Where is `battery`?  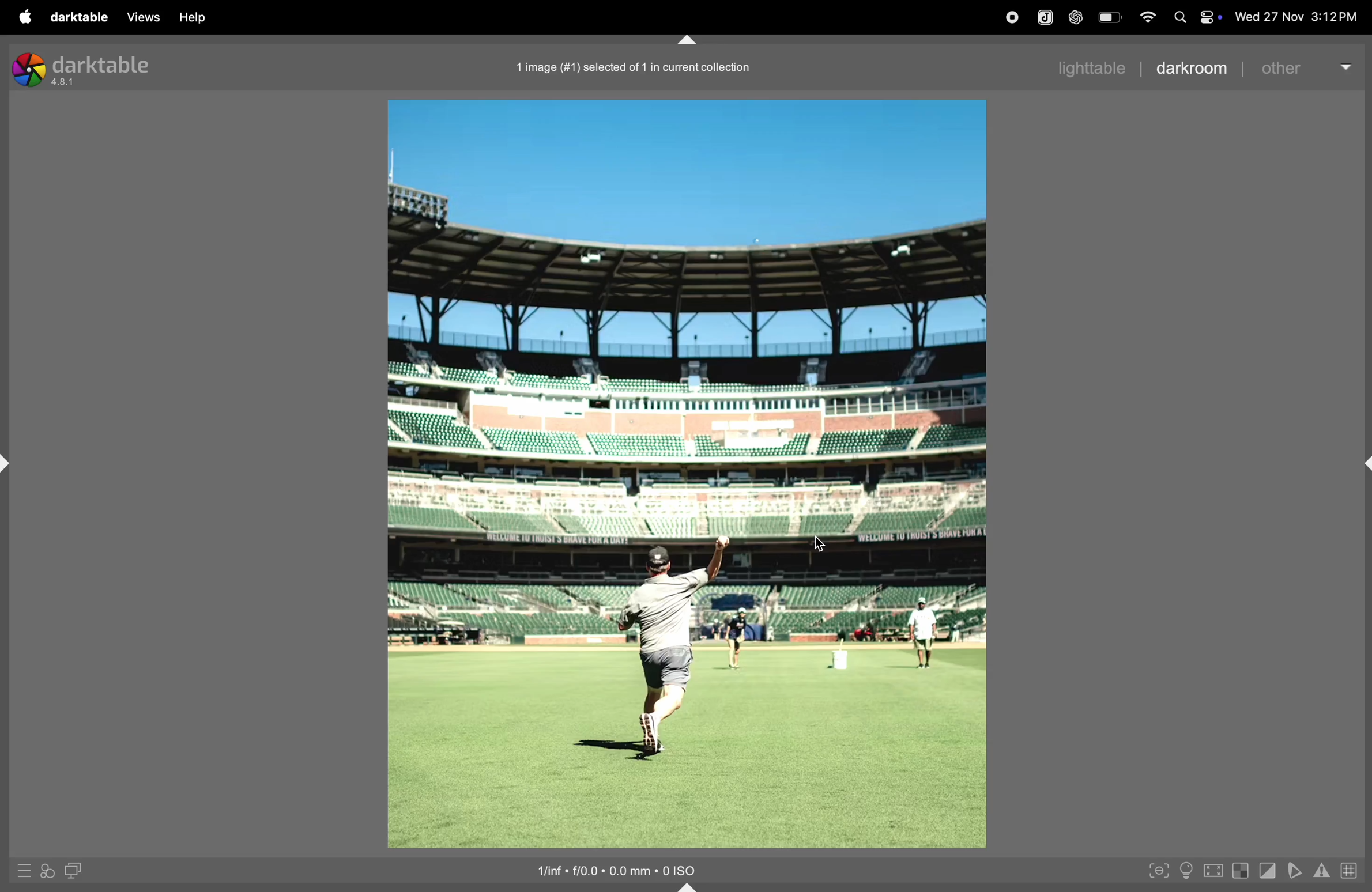 battery is located at coordinates (1111, 16).